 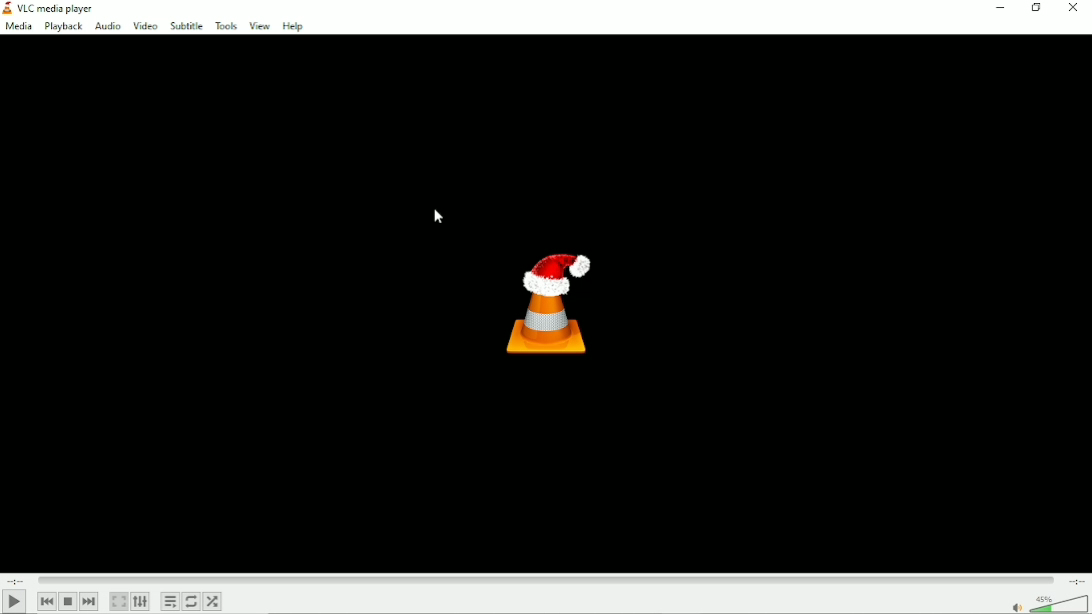 What do you see at coordinates (437, 217) in the screenshot?
I see `Cursor` at bounding box center [437, 217].